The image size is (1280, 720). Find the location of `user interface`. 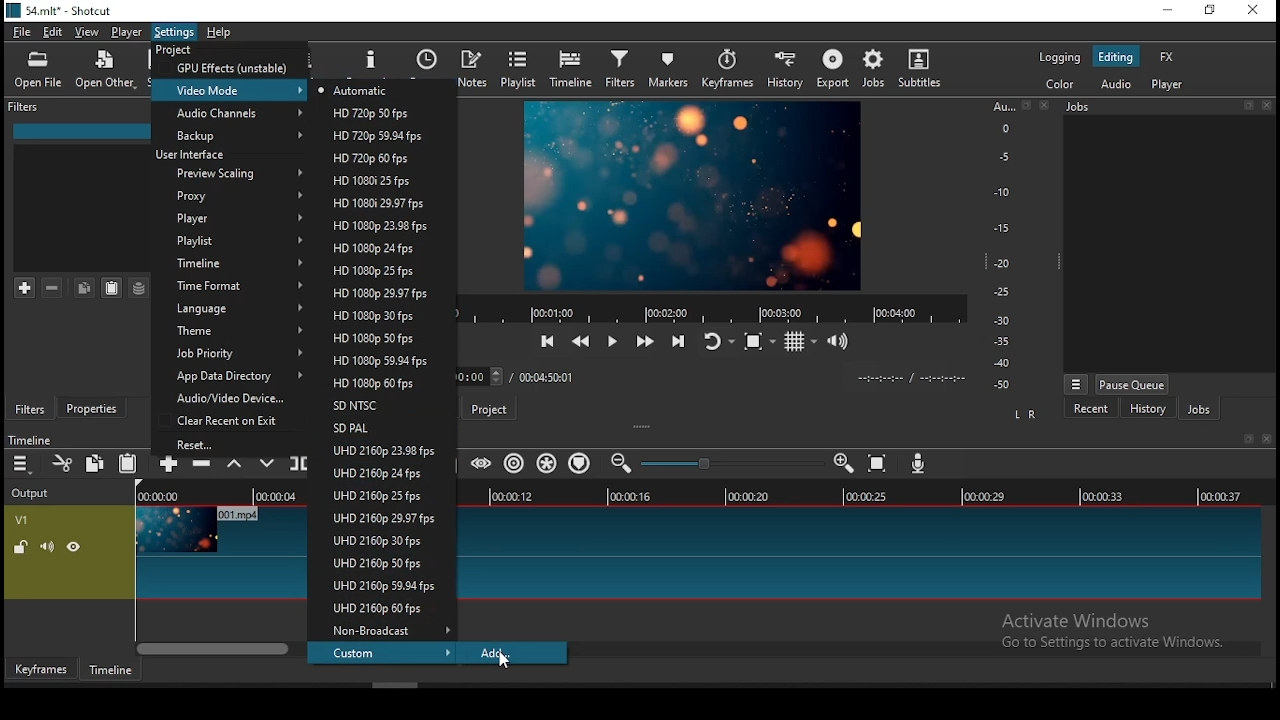

user interface is located at coordinates (196, 154).